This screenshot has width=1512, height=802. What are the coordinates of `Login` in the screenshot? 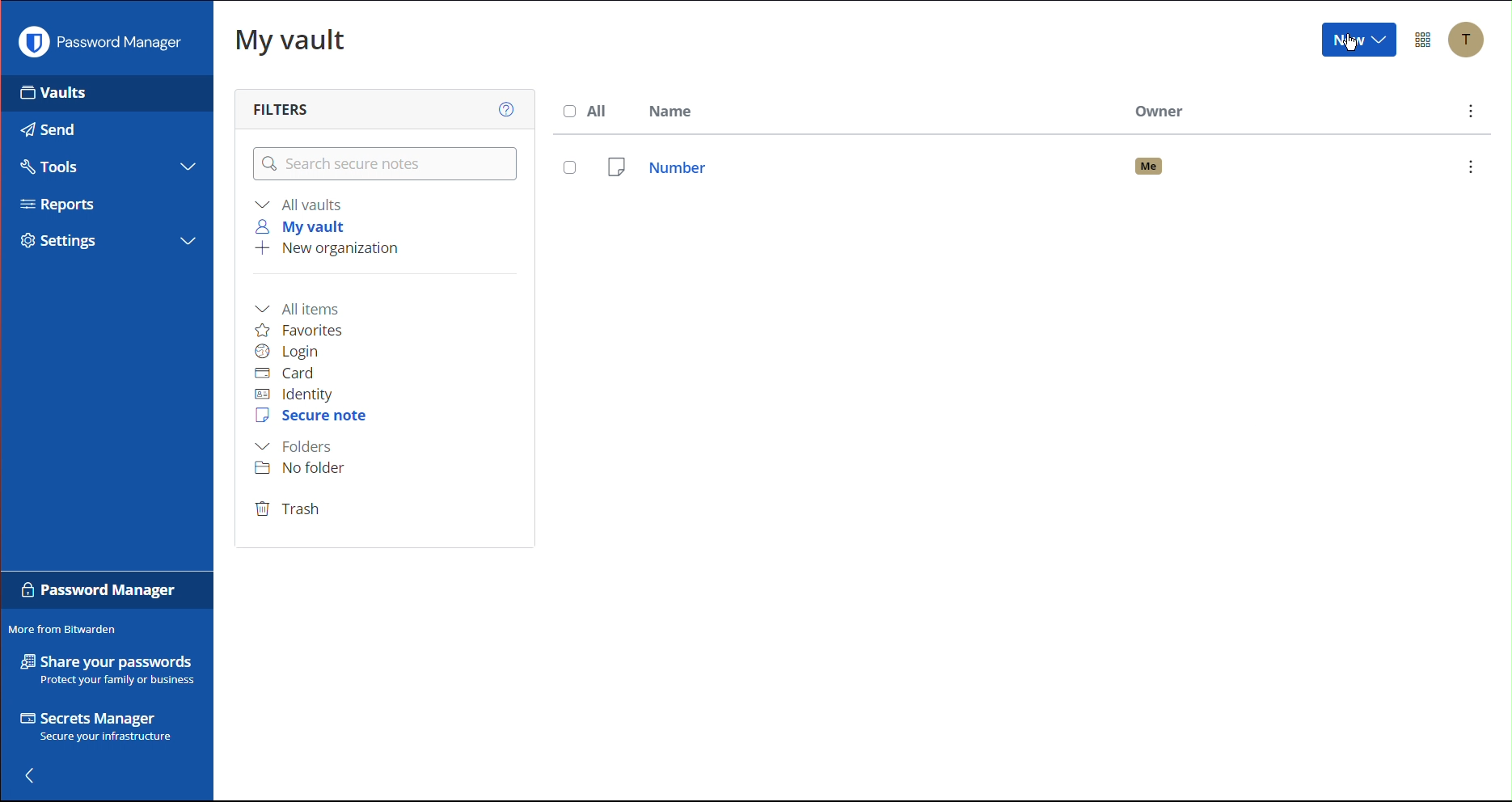 It's located at (288, 352).